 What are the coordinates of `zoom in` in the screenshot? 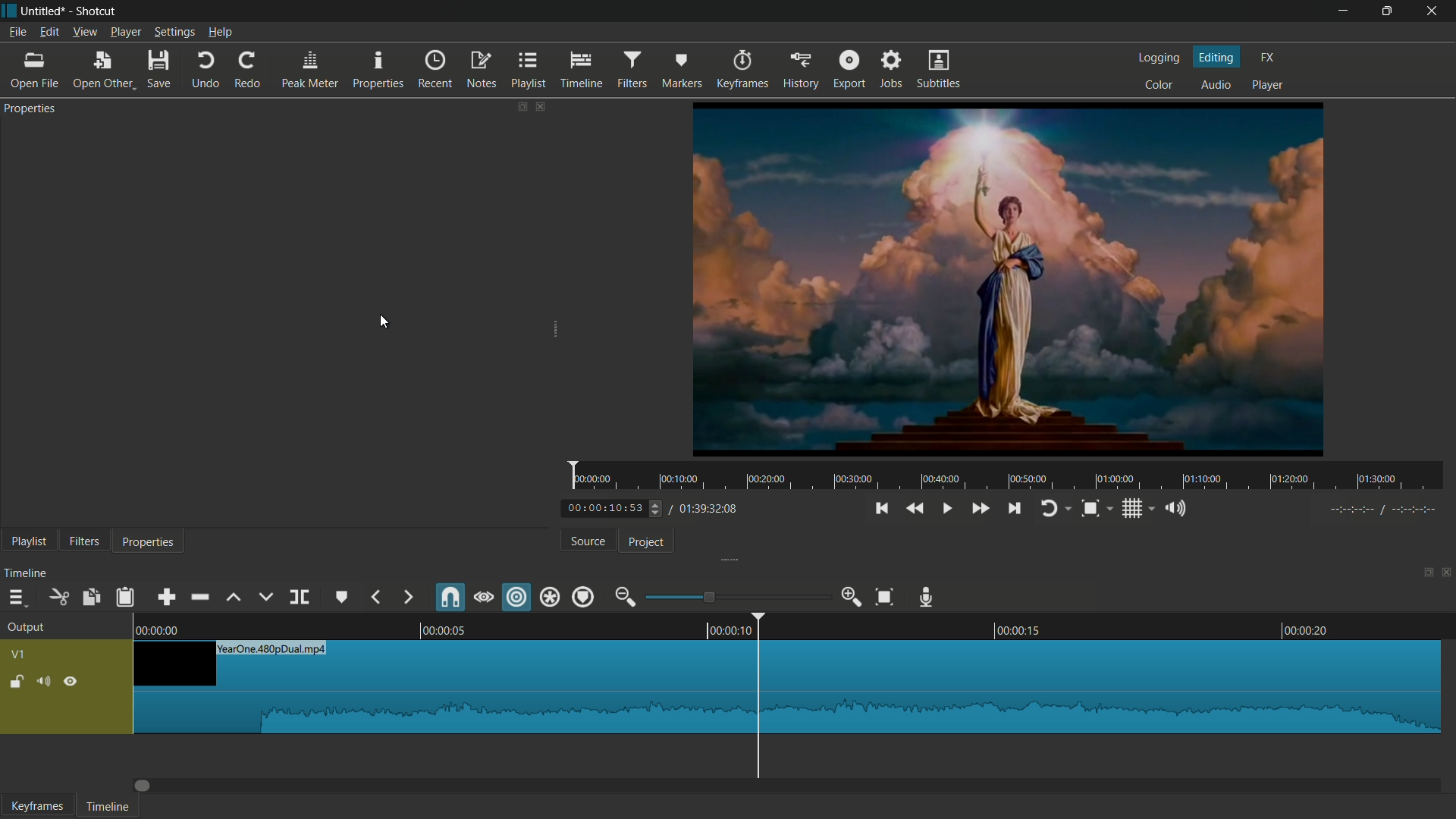 It's located at (850, 597).